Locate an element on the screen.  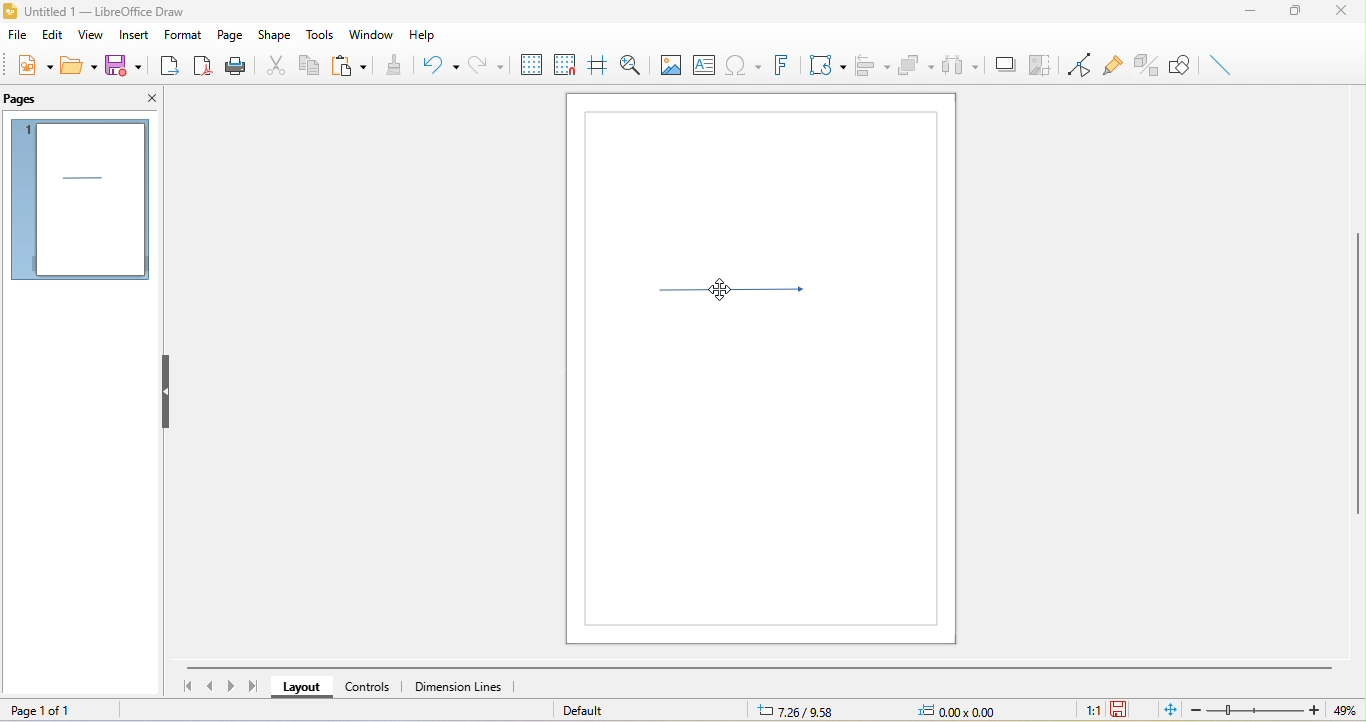
next page is located at coordinates (232, 685).